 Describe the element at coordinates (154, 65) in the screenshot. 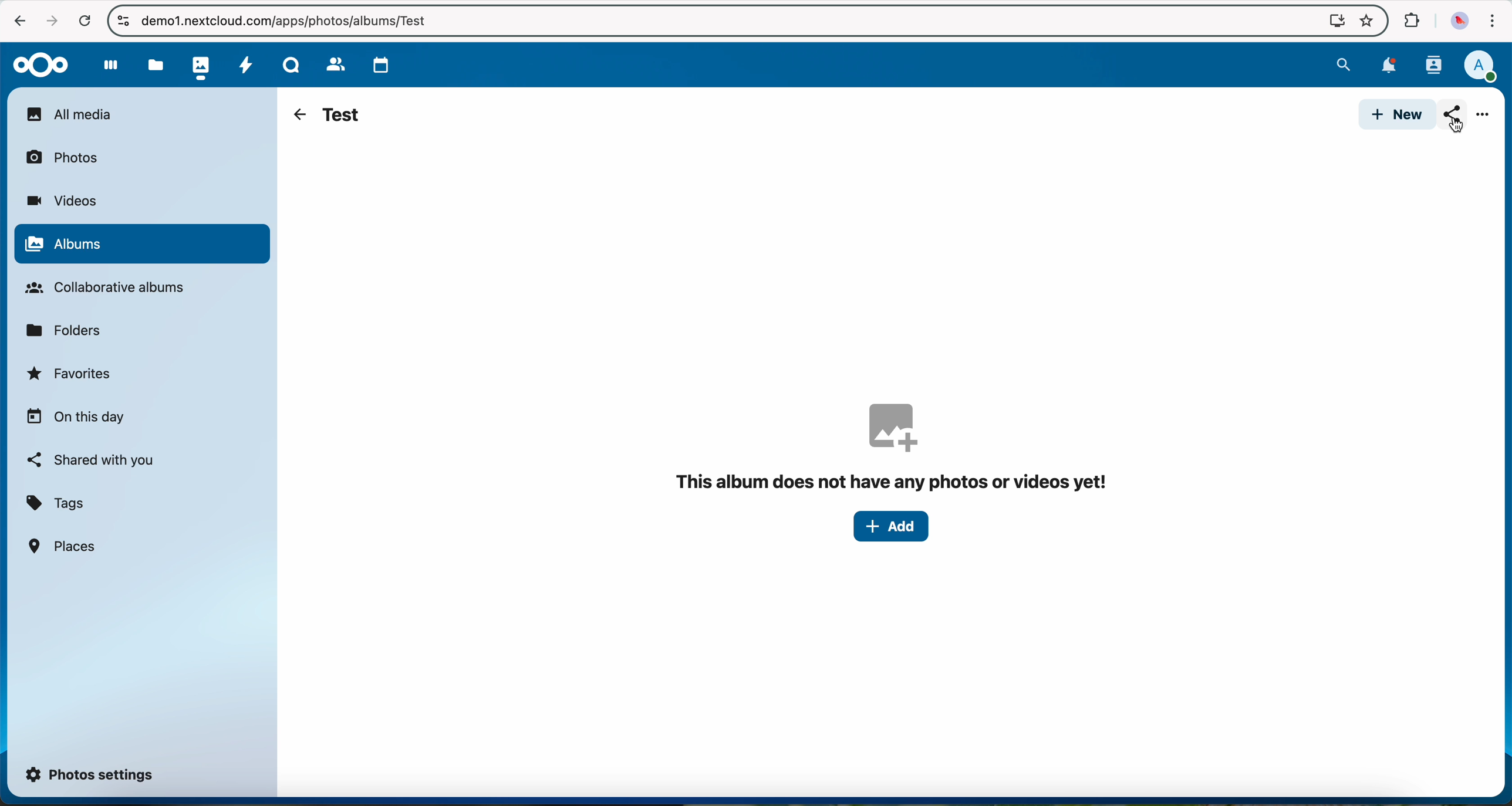

I see `files` at that location.